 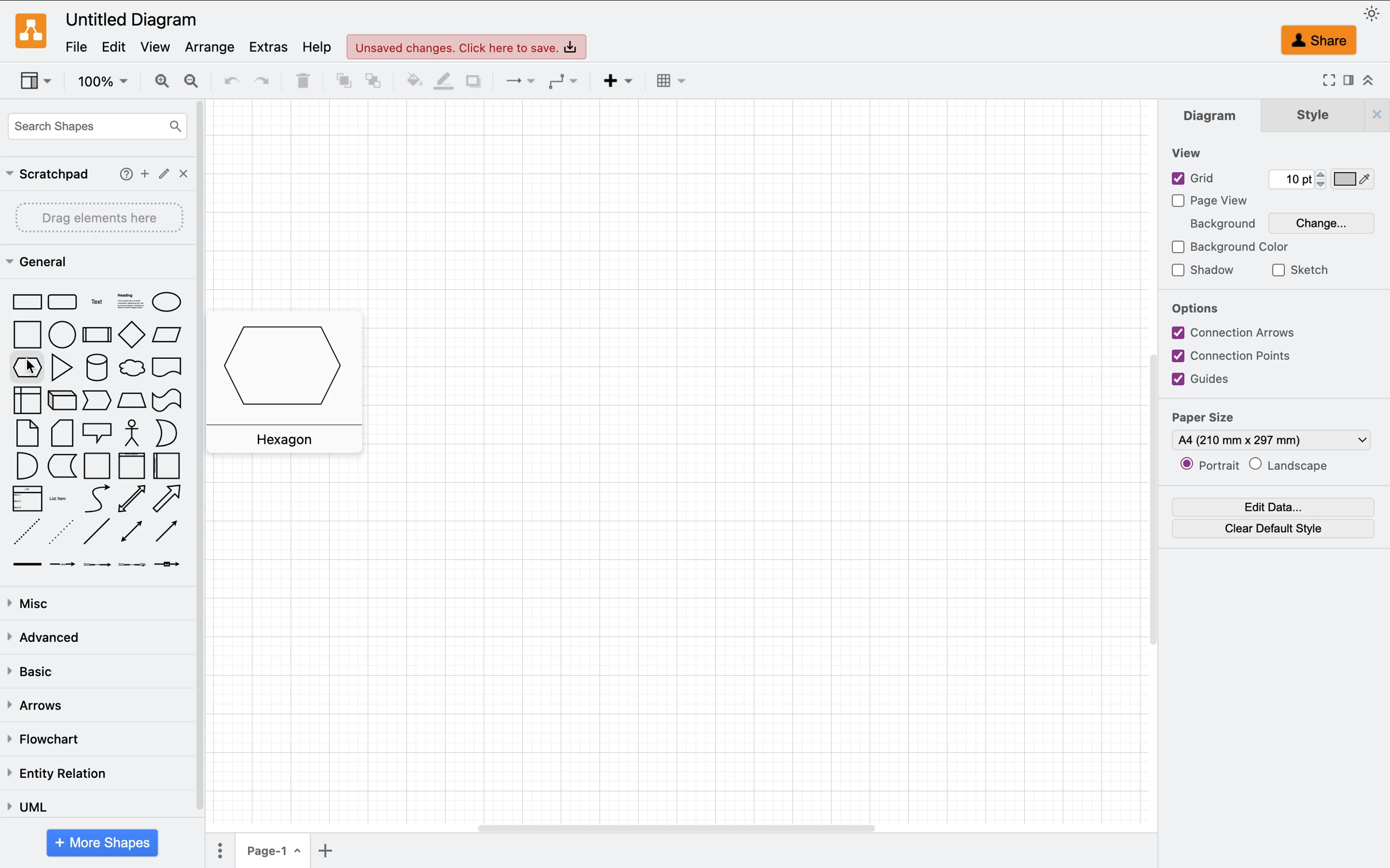 I want to click on bidirectional connector, so click(x=131, y=532).